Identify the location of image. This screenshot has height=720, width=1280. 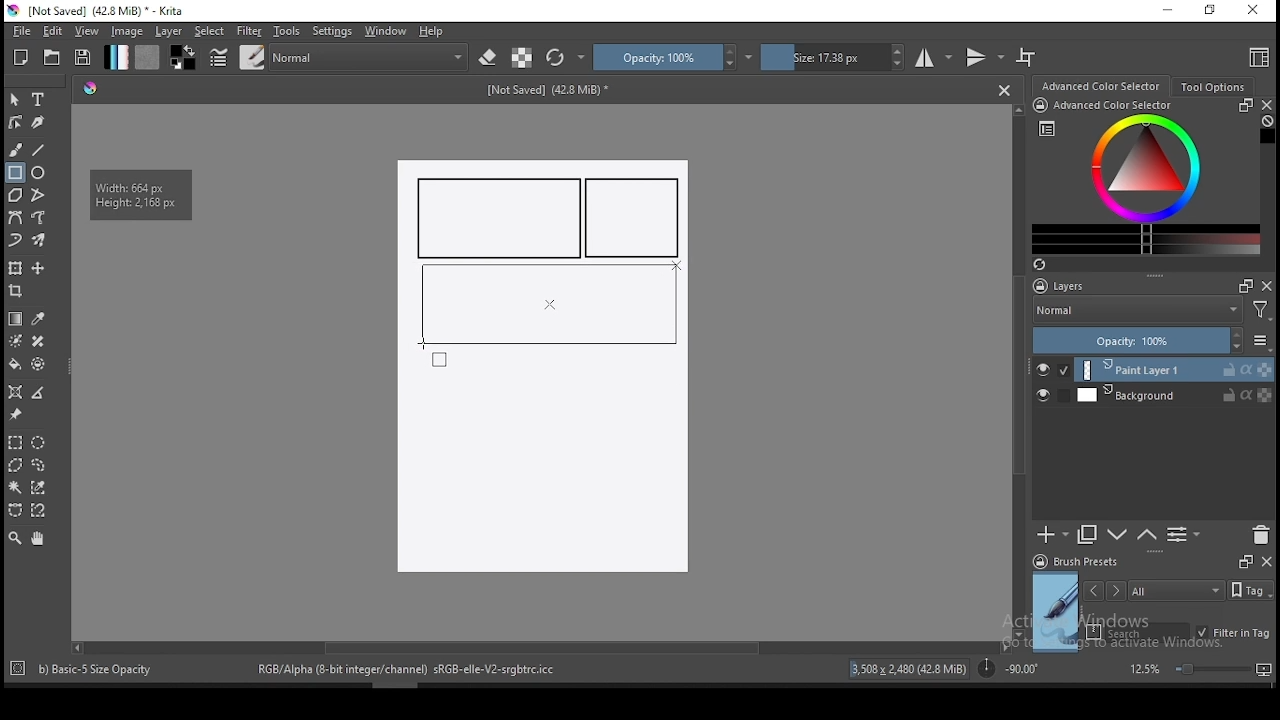
(126, 31).